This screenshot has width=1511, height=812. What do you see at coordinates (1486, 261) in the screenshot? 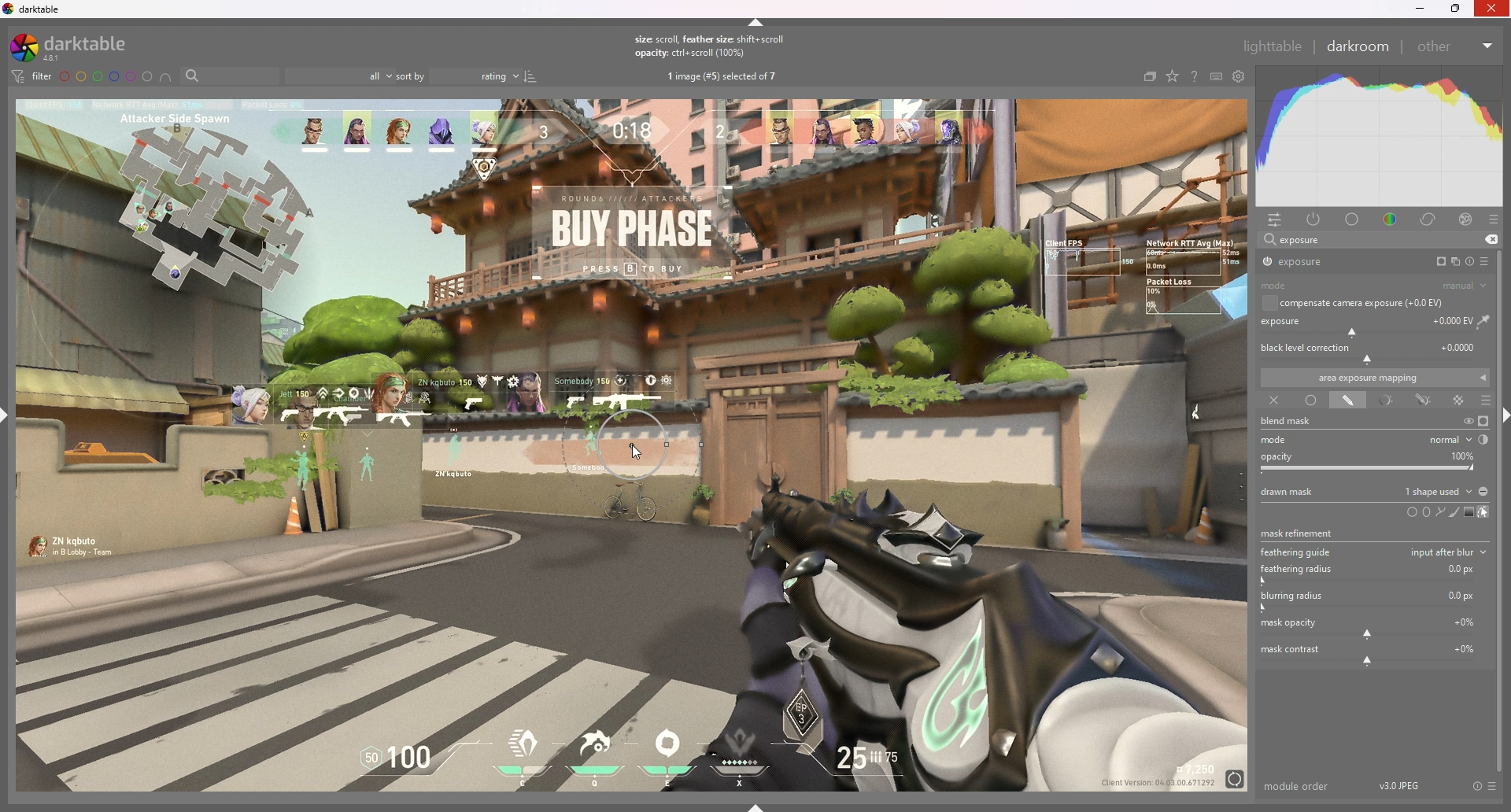
I see `presets` at bounding box center [1486, 261].